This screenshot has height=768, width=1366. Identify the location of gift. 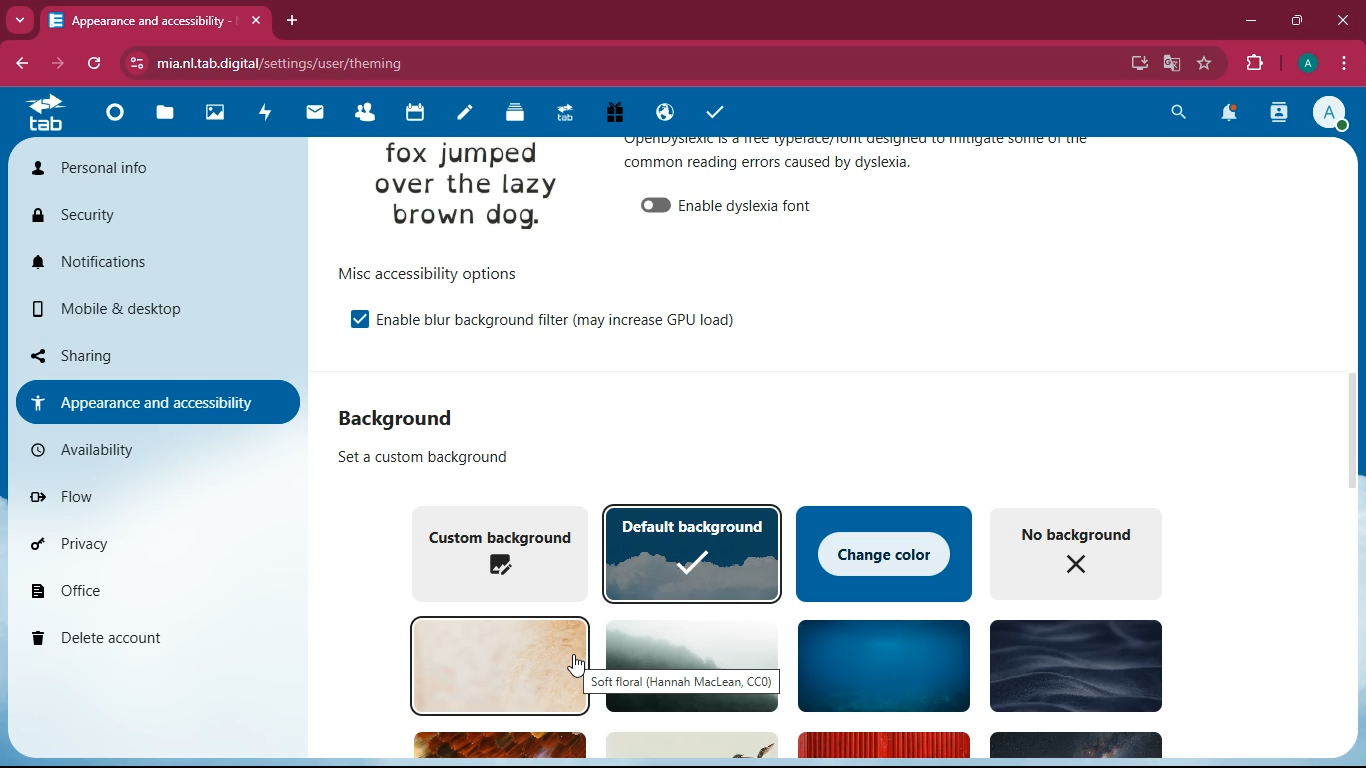
(616, 114).